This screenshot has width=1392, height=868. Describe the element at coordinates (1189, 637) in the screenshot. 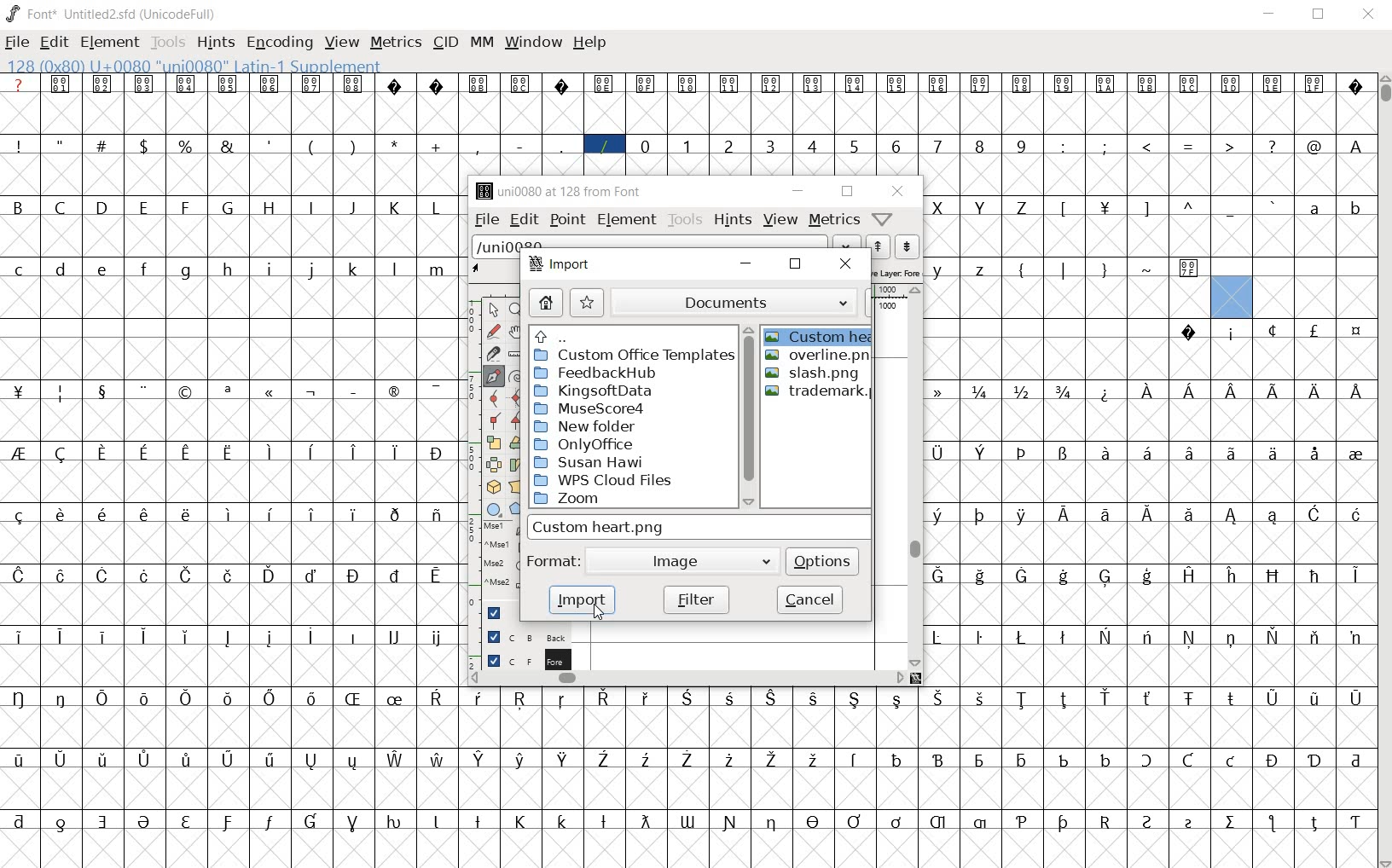

I see `glyph` at that location.